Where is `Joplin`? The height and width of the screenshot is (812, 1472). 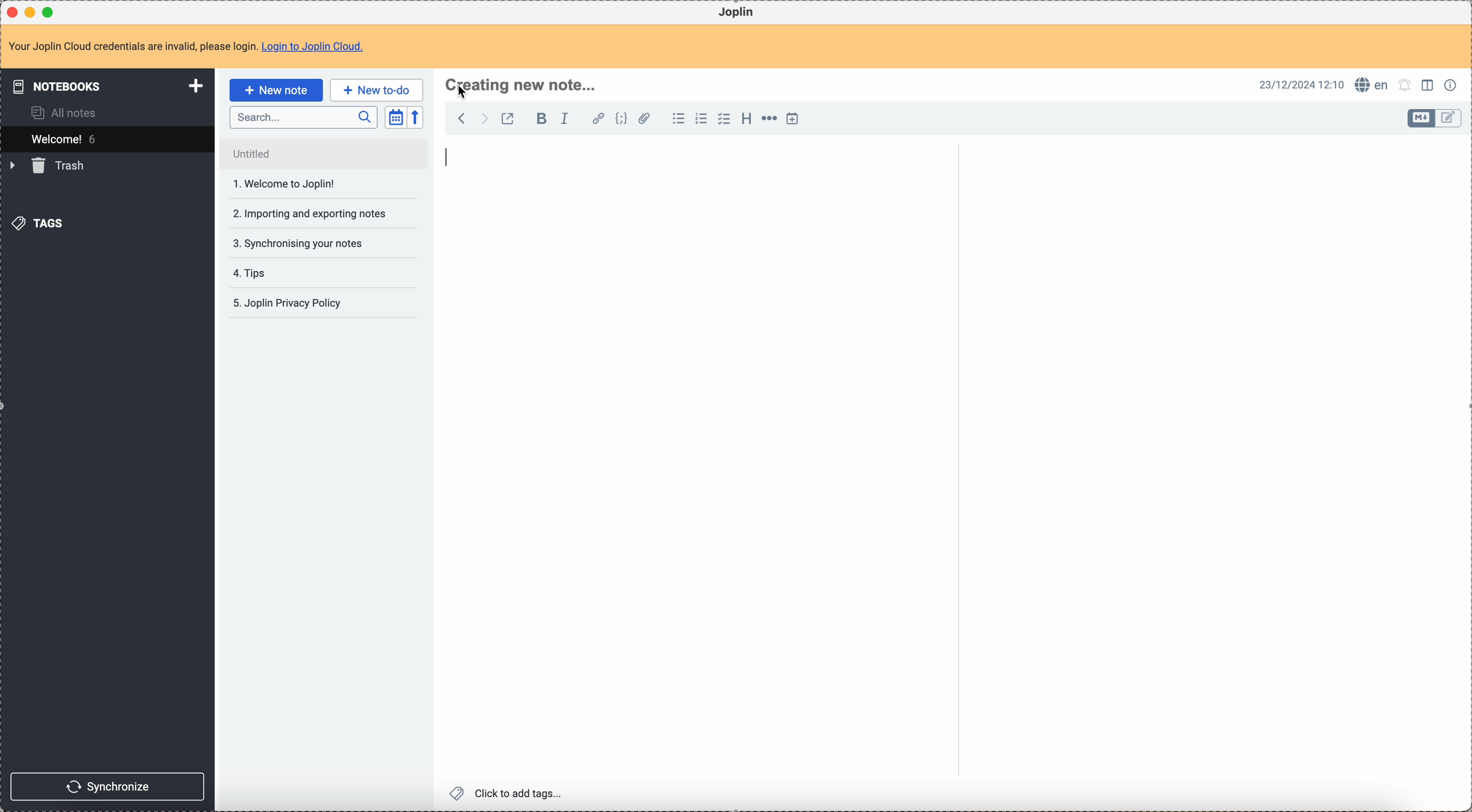 Joplin is located at coordinates (738, 13).